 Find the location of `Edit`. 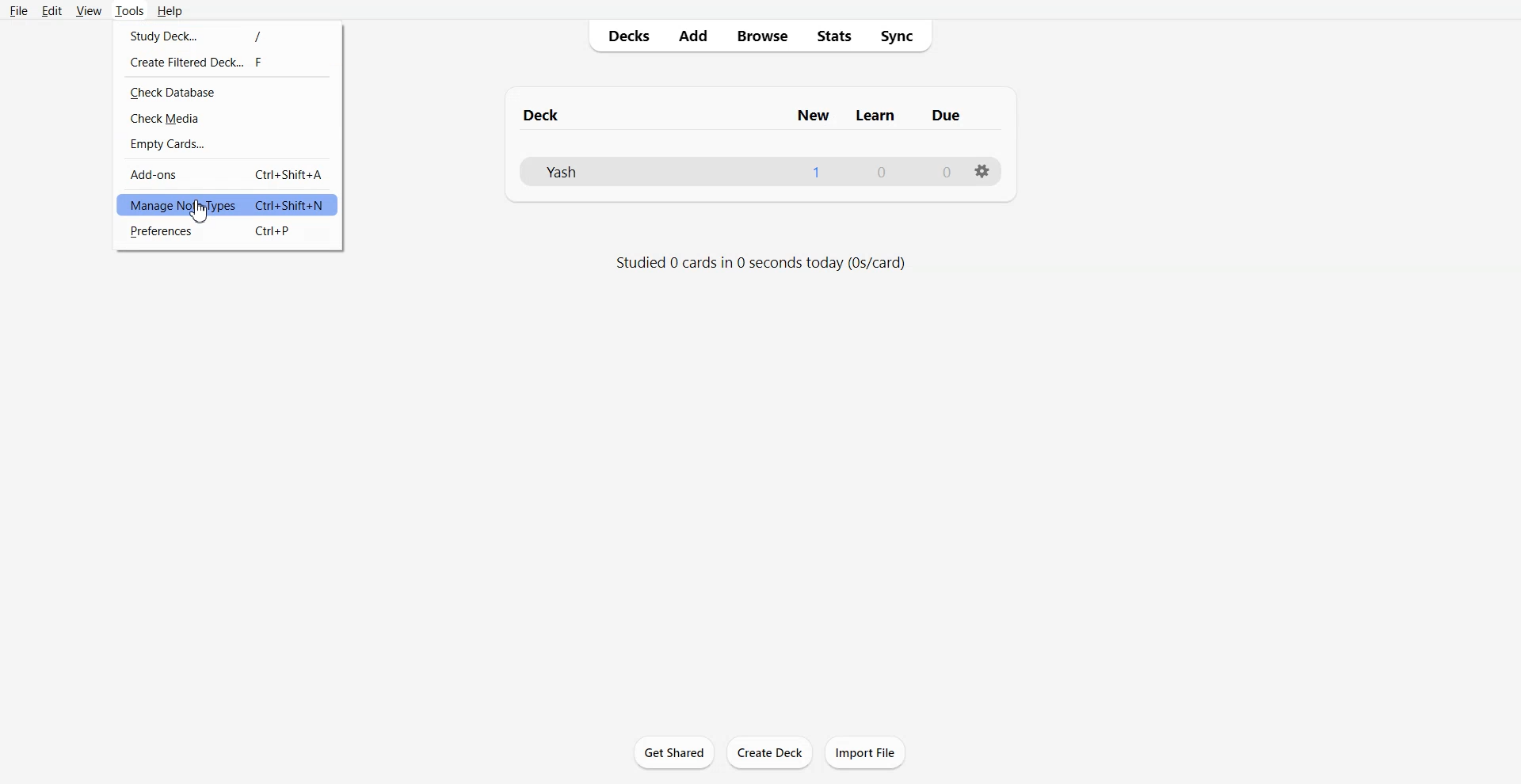

Edit is located at coordinates (51, 10).